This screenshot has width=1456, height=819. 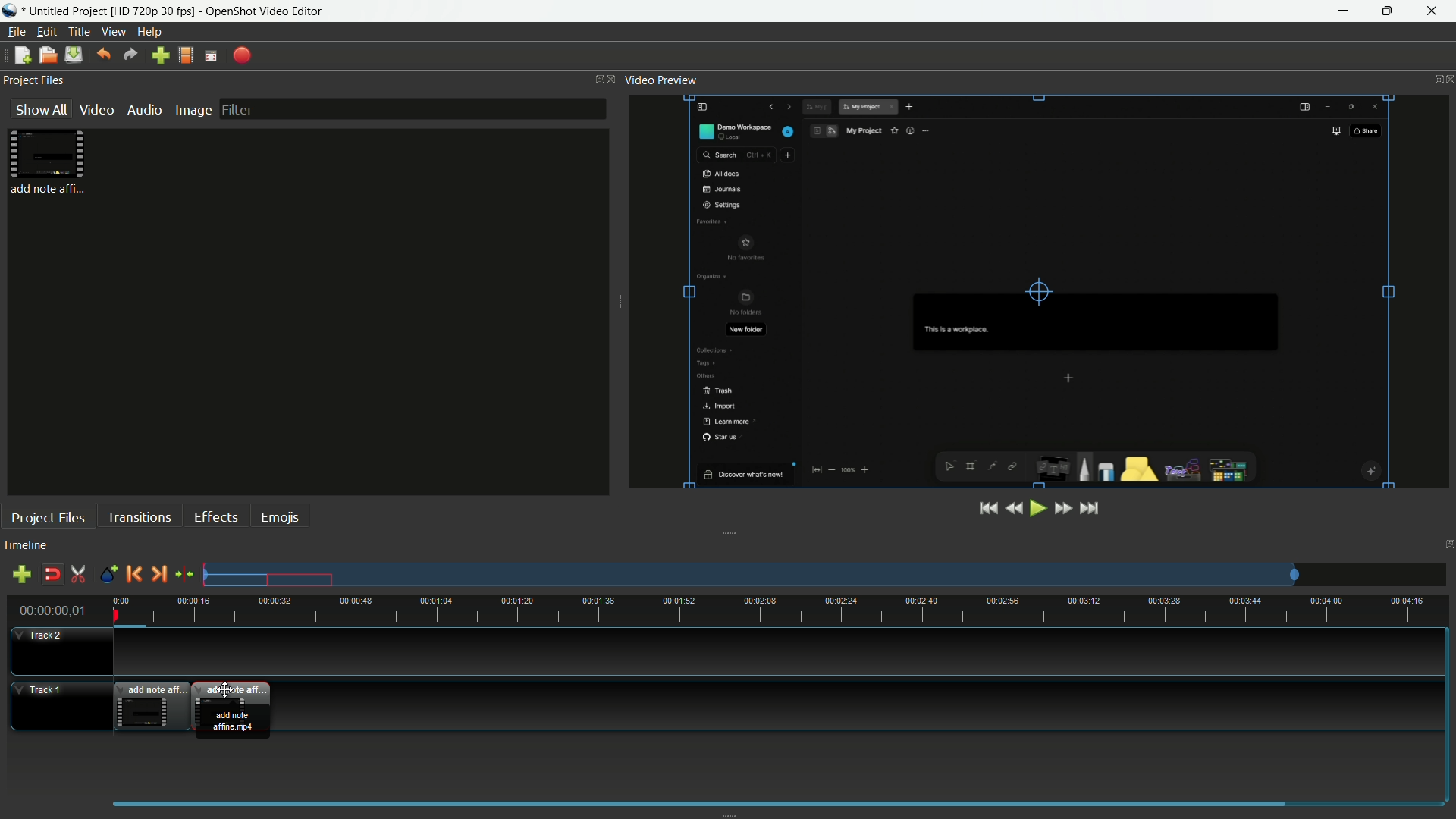 What do you see at coordinates (152, 704) in the screenshot?
I see `video in track-1` at bounding box center [152, 704].